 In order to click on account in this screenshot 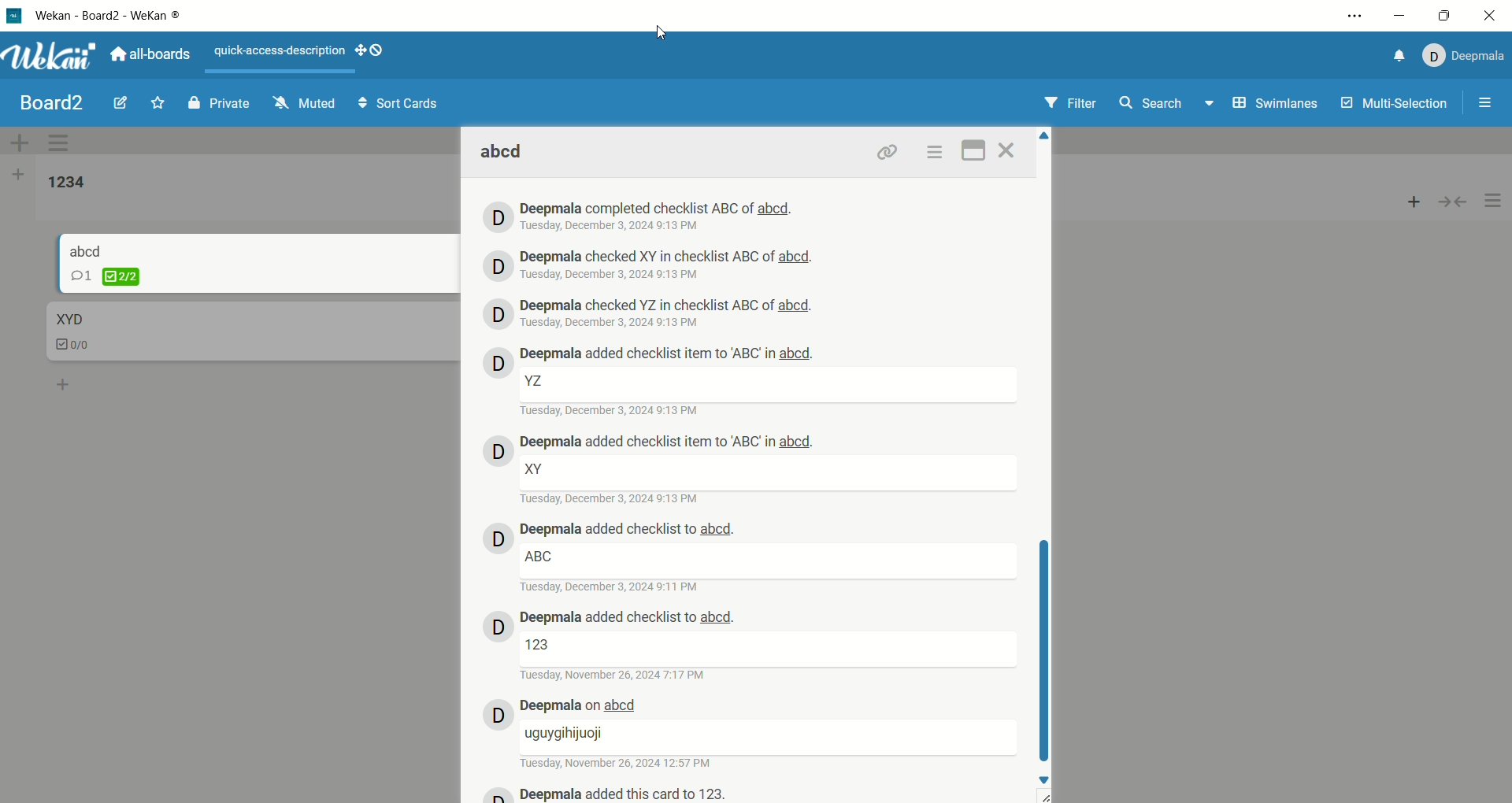, I will do `click(1461, 56)`.